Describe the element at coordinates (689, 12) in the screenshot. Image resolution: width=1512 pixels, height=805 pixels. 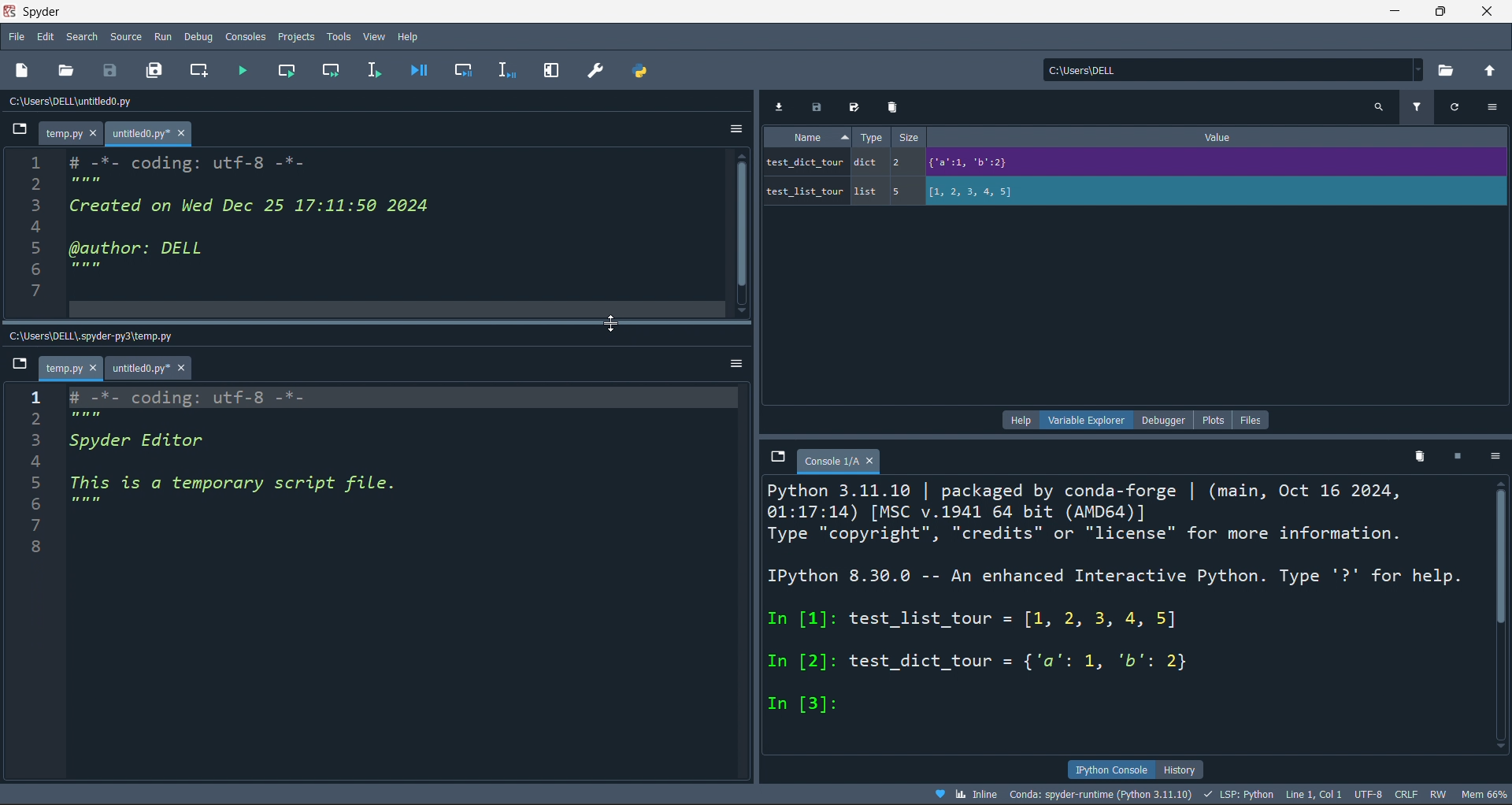
I see `title bar` at that location.